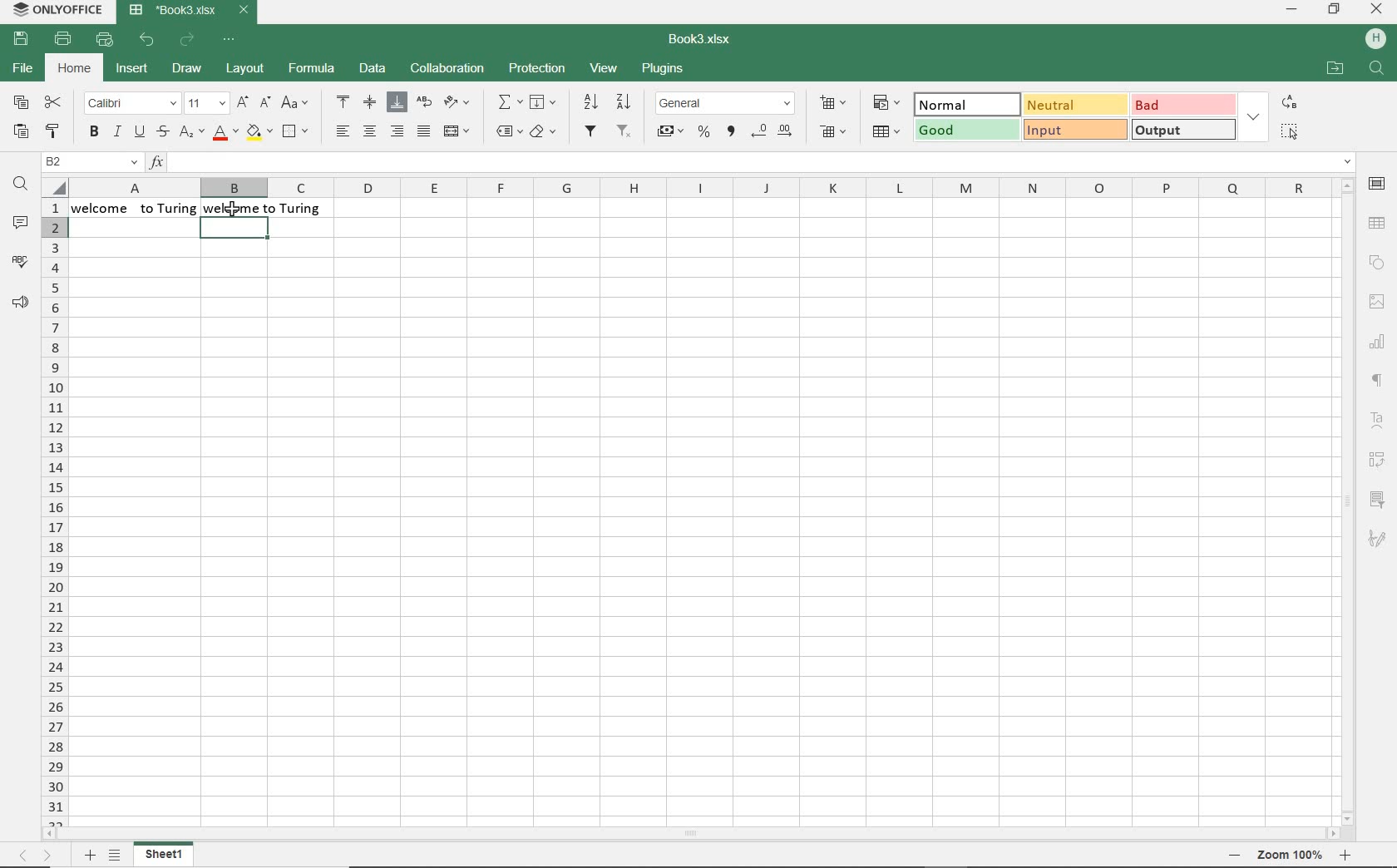 The width and height of the screenshot is (1397, 868). What do you see at coordinates (507, 133) in the screenshot?
I see `named ranges` at bounding box center [507, 133].